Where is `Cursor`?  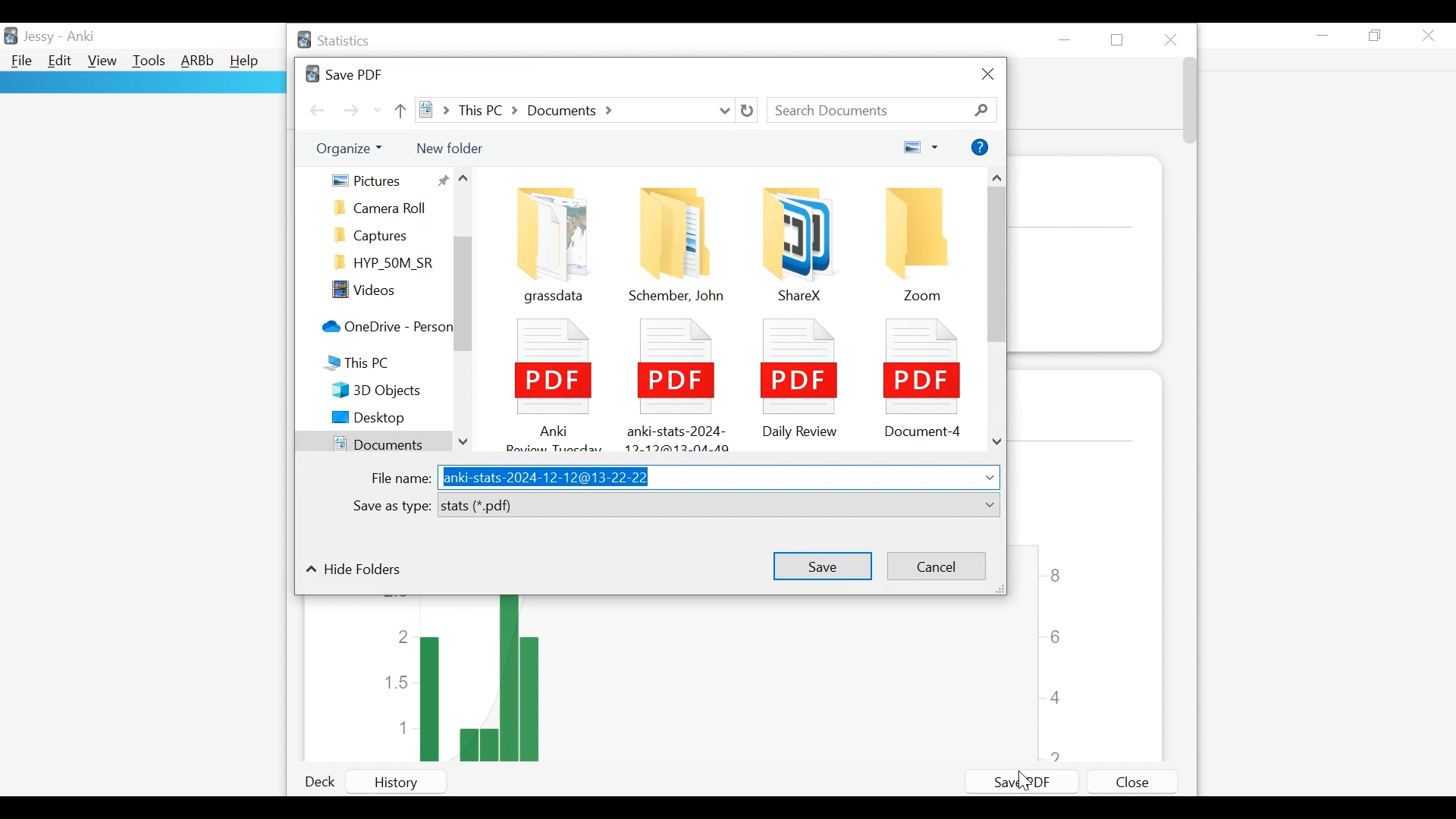 Cursor is located at coordinates (1028, 783).